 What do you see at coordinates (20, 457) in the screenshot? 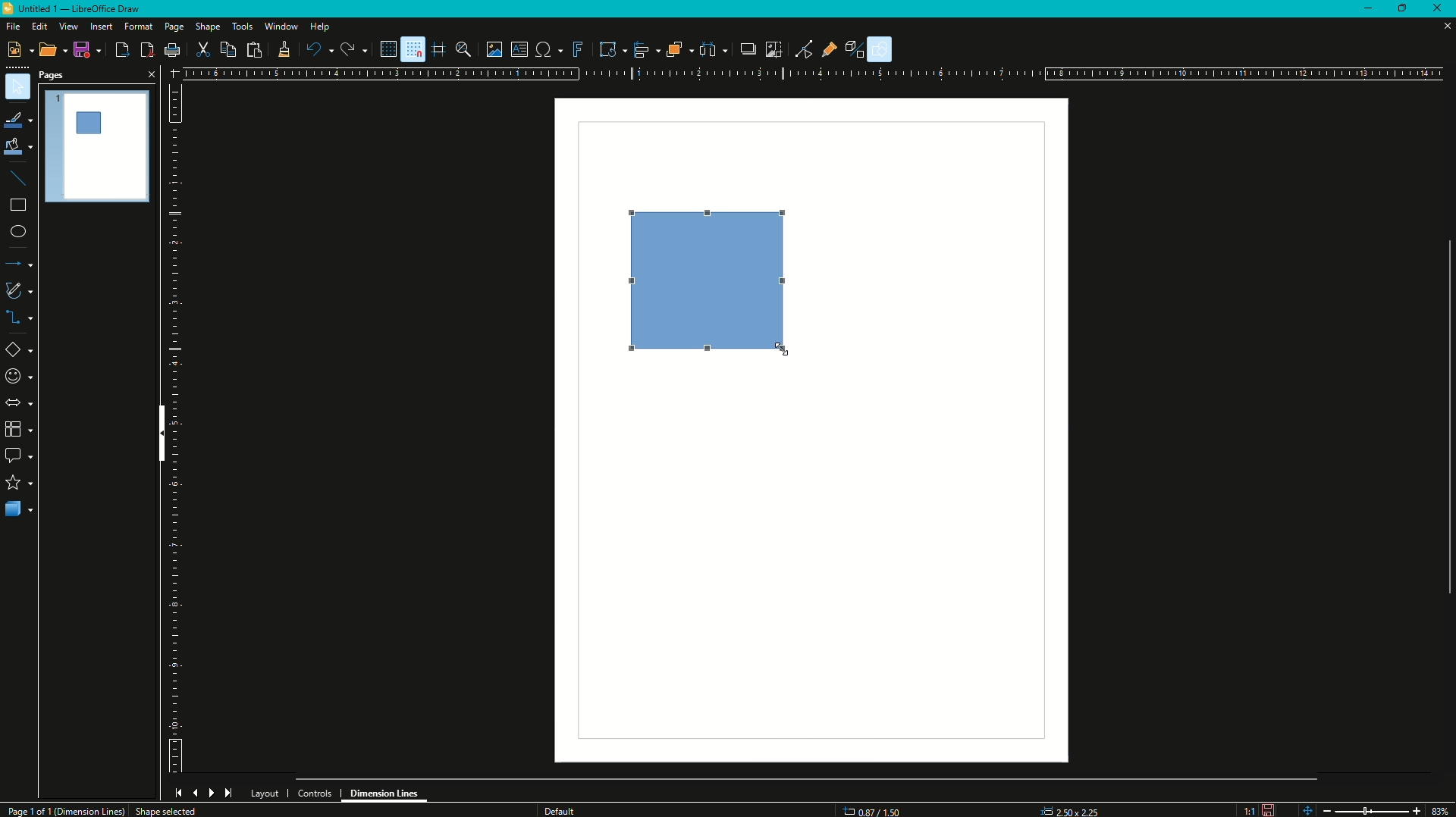
I see `Text Bubbles` at bounding box center [20, 457].